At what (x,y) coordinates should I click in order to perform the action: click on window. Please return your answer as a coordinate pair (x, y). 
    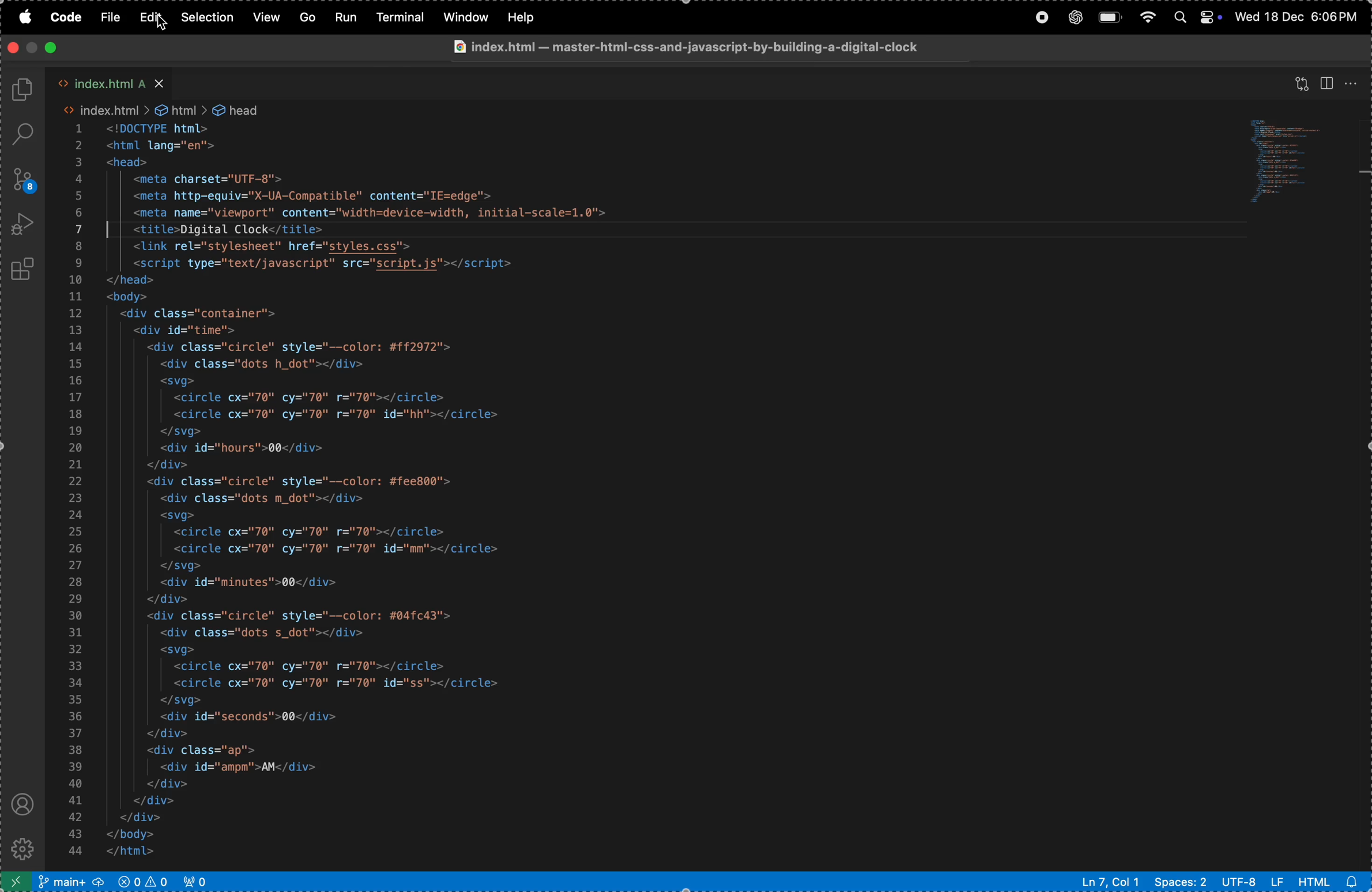
    Looking at the image, I should click on (463, 17).